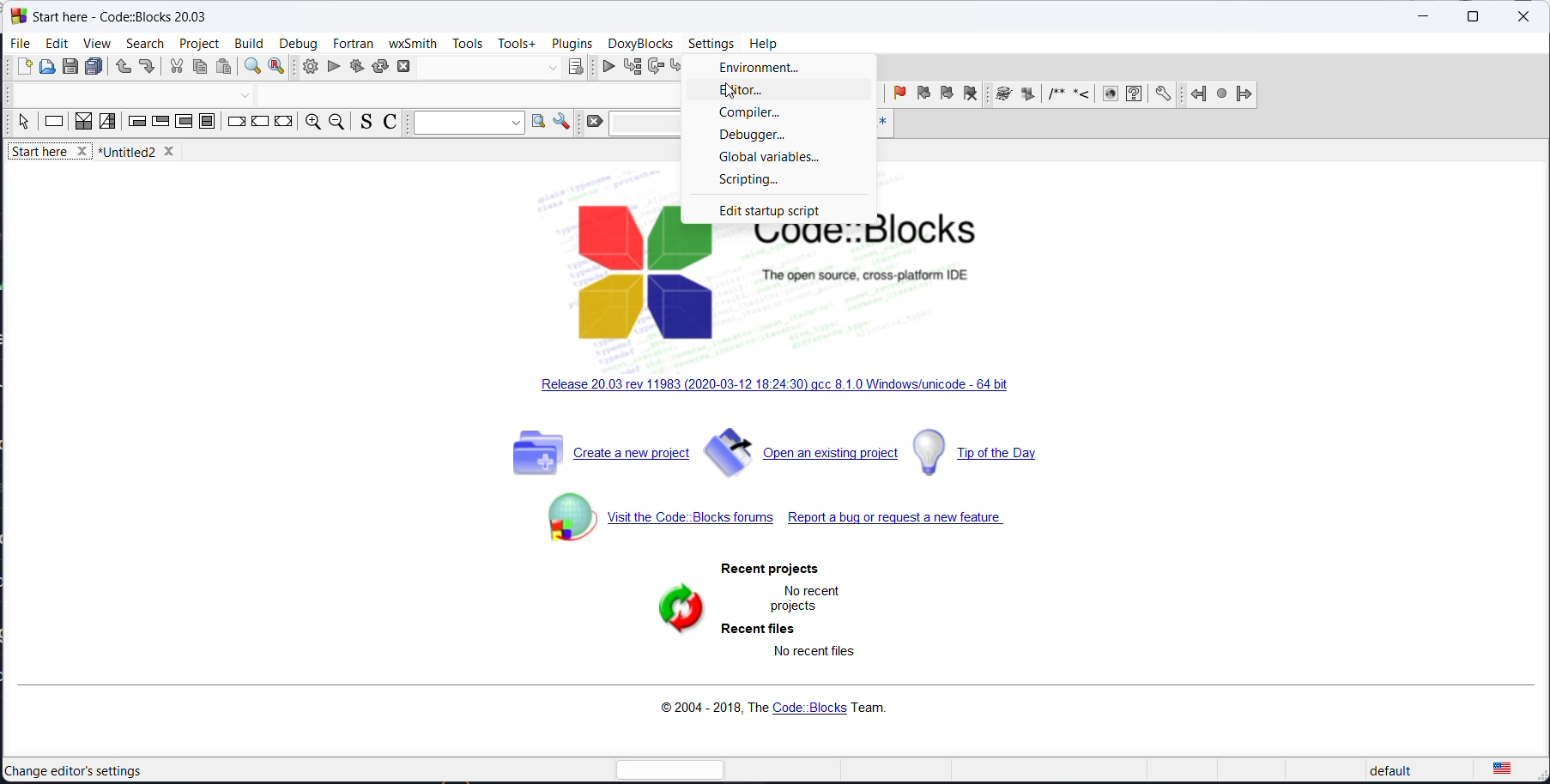  Describe the element at coordinates (517, 44) in the screenshot. I see `tools plus` at that location.